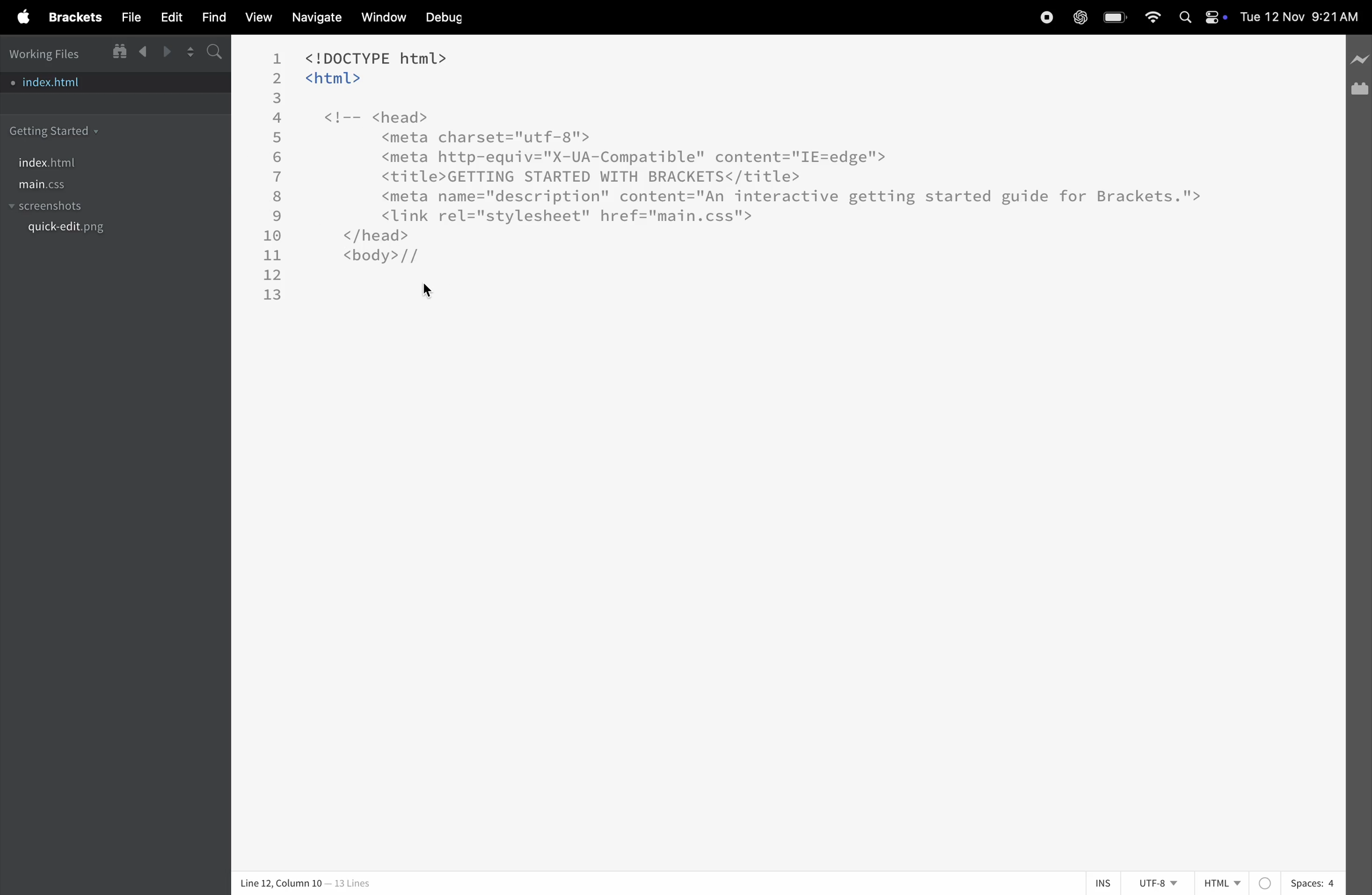  What do you see at coordinates (1151, 883) in the screenshot?
I see `utf 8` at bounding box center [1151, 883].